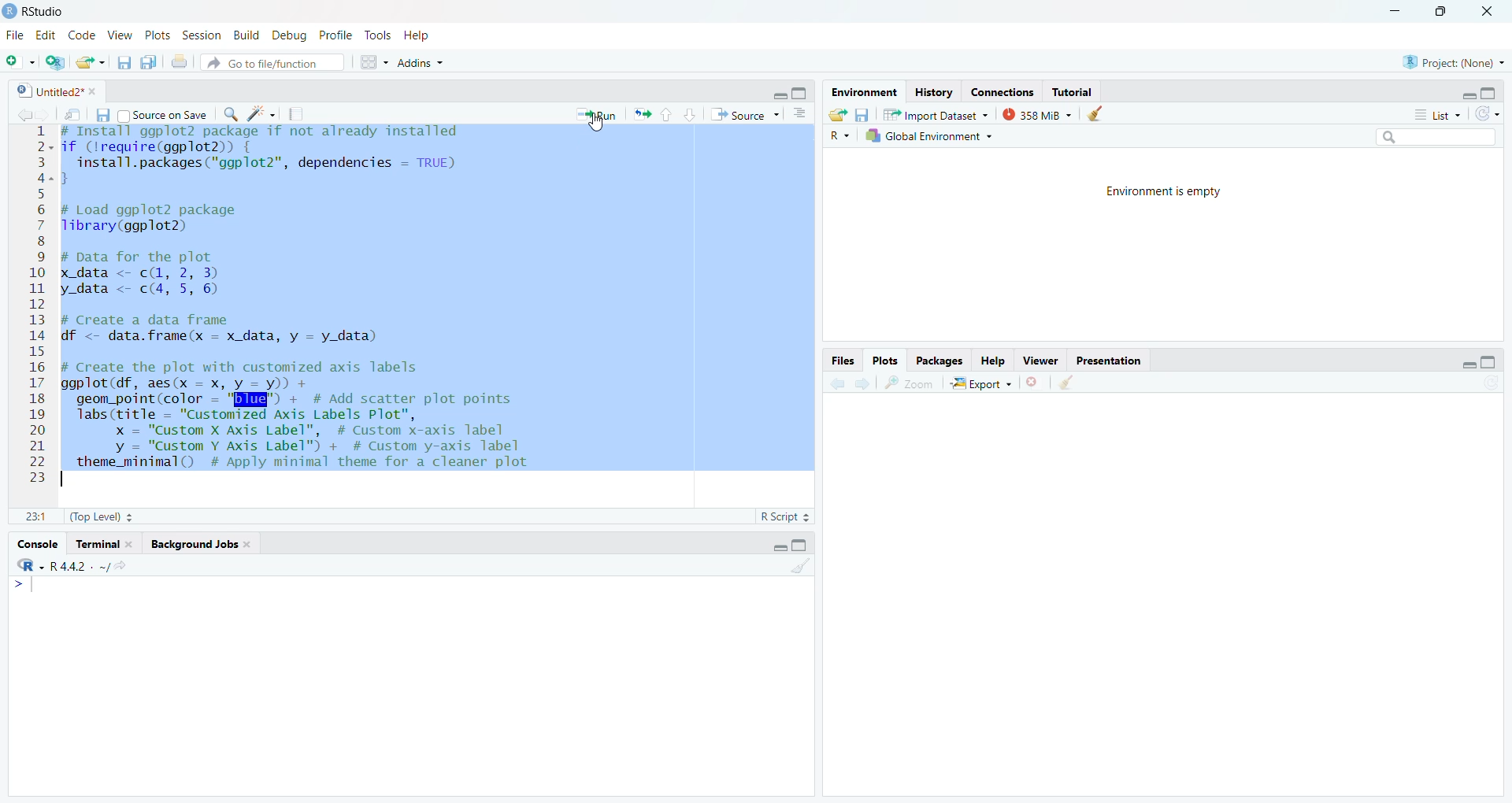  Describe the element at coordinates (1069, 385) in the screenshot. I see `clear` at that location.